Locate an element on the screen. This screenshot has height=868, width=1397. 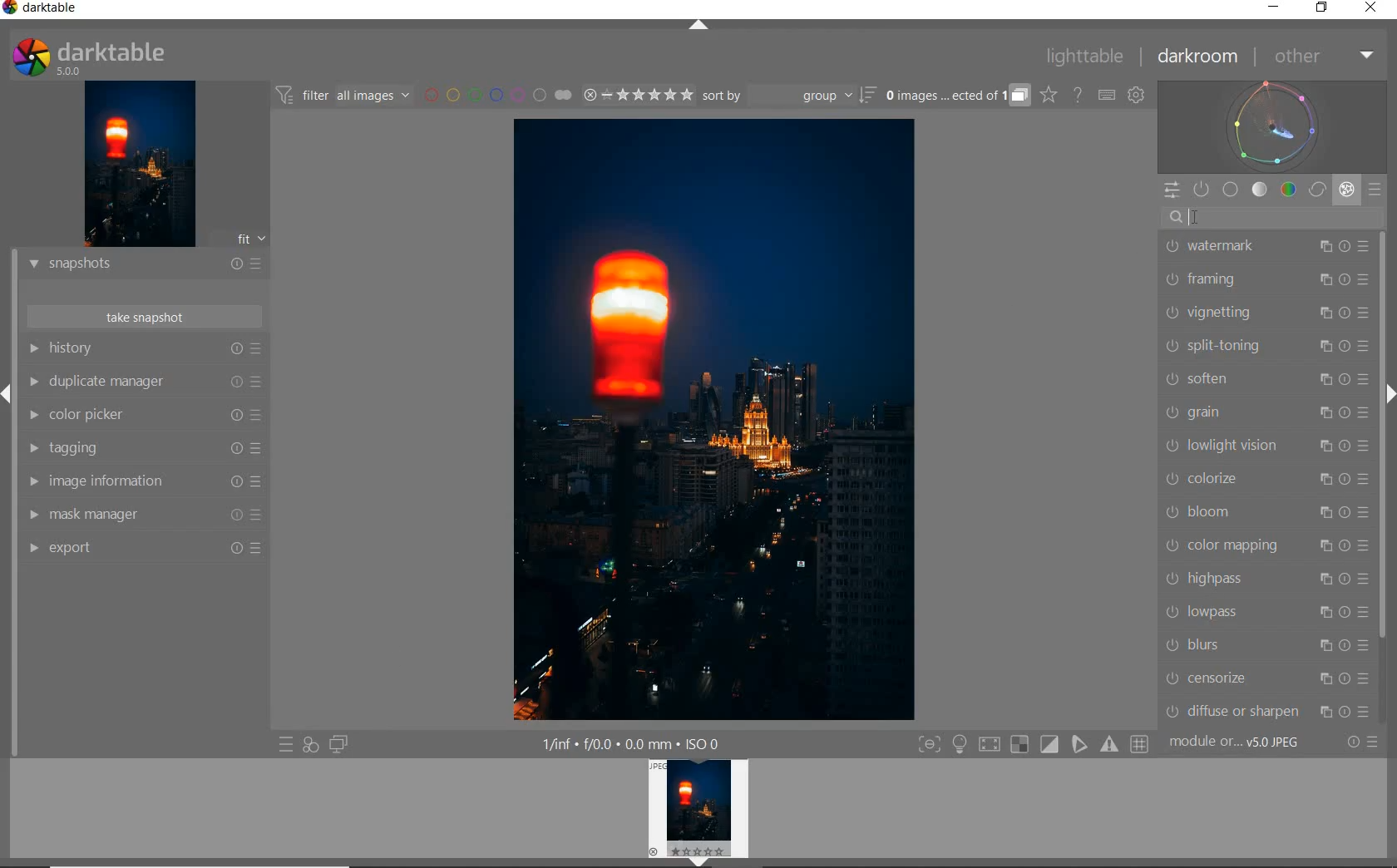
Multiple instance is located at coordinates (1317, 645).